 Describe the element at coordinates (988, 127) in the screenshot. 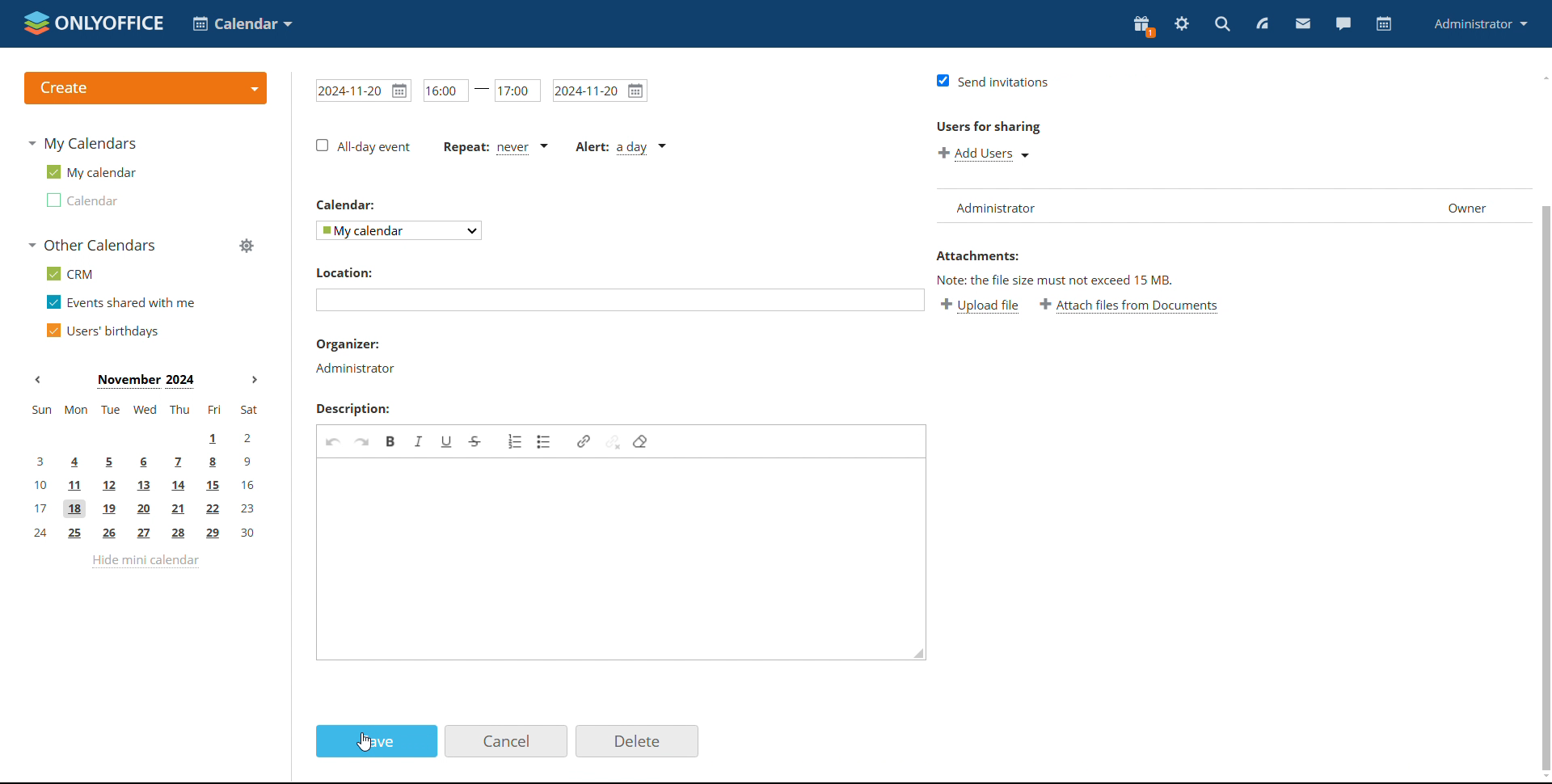

I see `Users for sharing` at that location.